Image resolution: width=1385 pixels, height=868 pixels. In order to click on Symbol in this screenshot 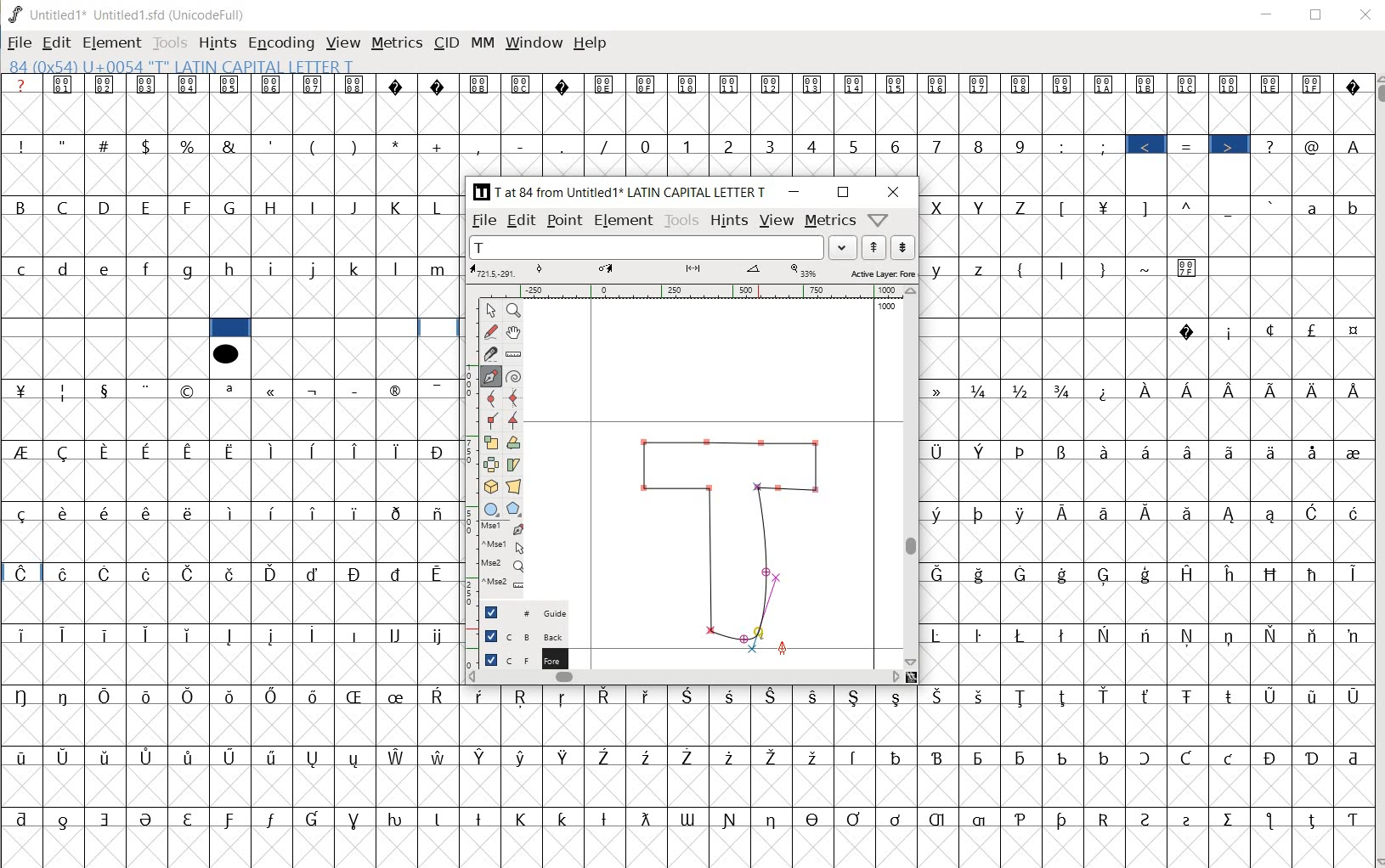, I will do `click(1231, 84)`.